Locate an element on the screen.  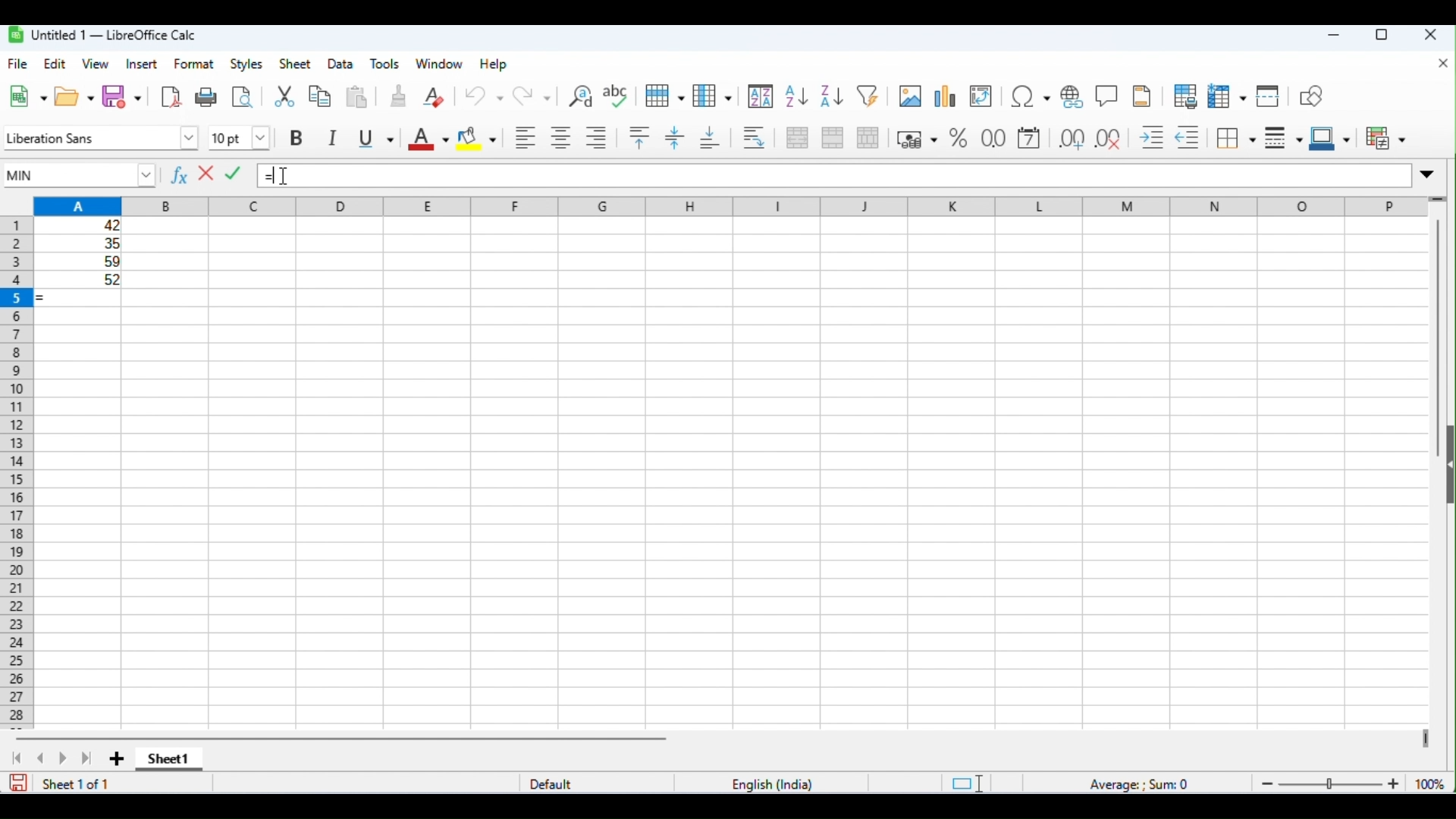
window is located at coordinates (440, 65).